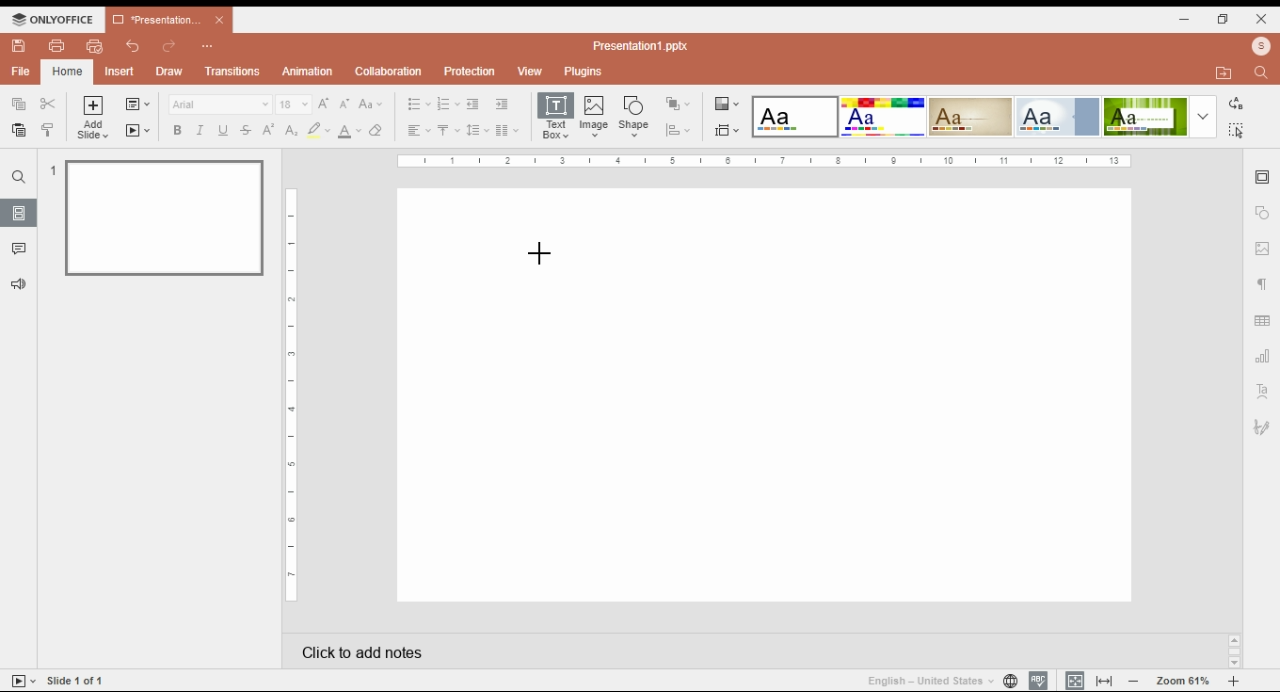 The image size is (1280, 692). Describe the element at coordinates (417, 131) in the screenshot. I see `horizontal alignment` at that location.